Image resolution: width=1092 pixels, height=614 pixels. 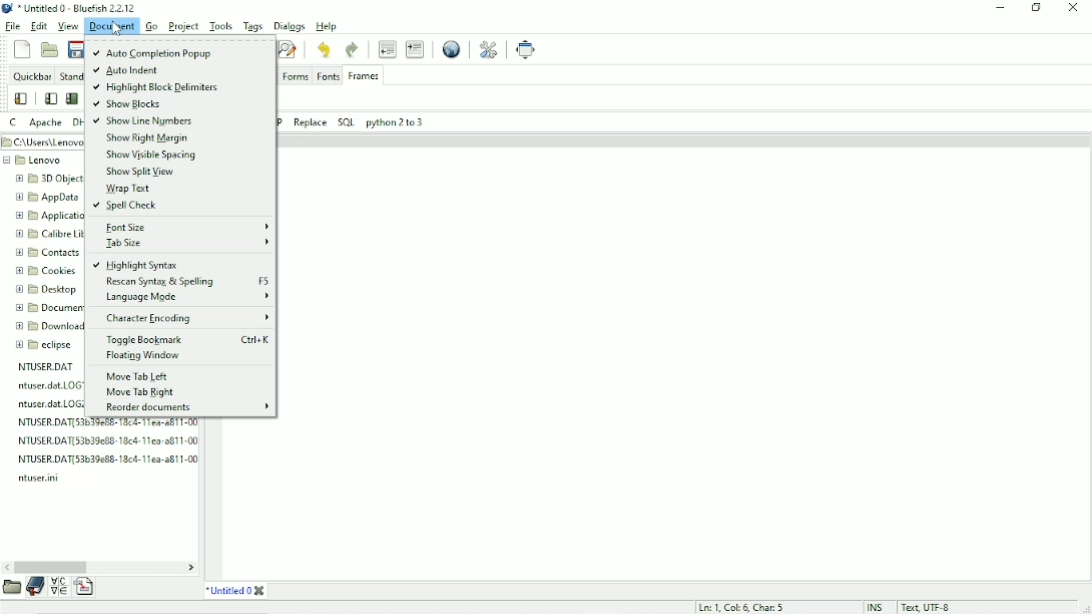 What do you see at coordinates (46, 122) in the screenshot?
I see `Apache` at bounding box center [46, 122].